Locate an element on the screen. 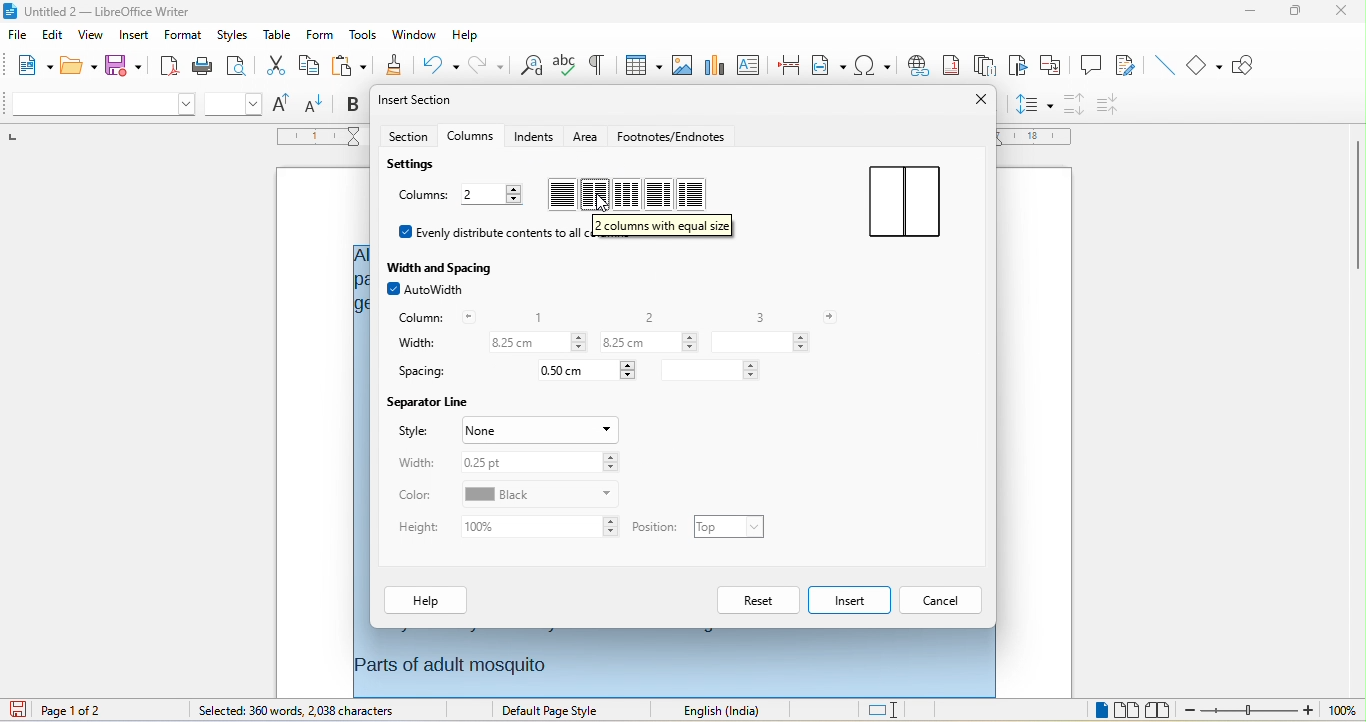 The height and width of the screenshot is (722, 1366). column 2 width is located at coordinates (650, 342).